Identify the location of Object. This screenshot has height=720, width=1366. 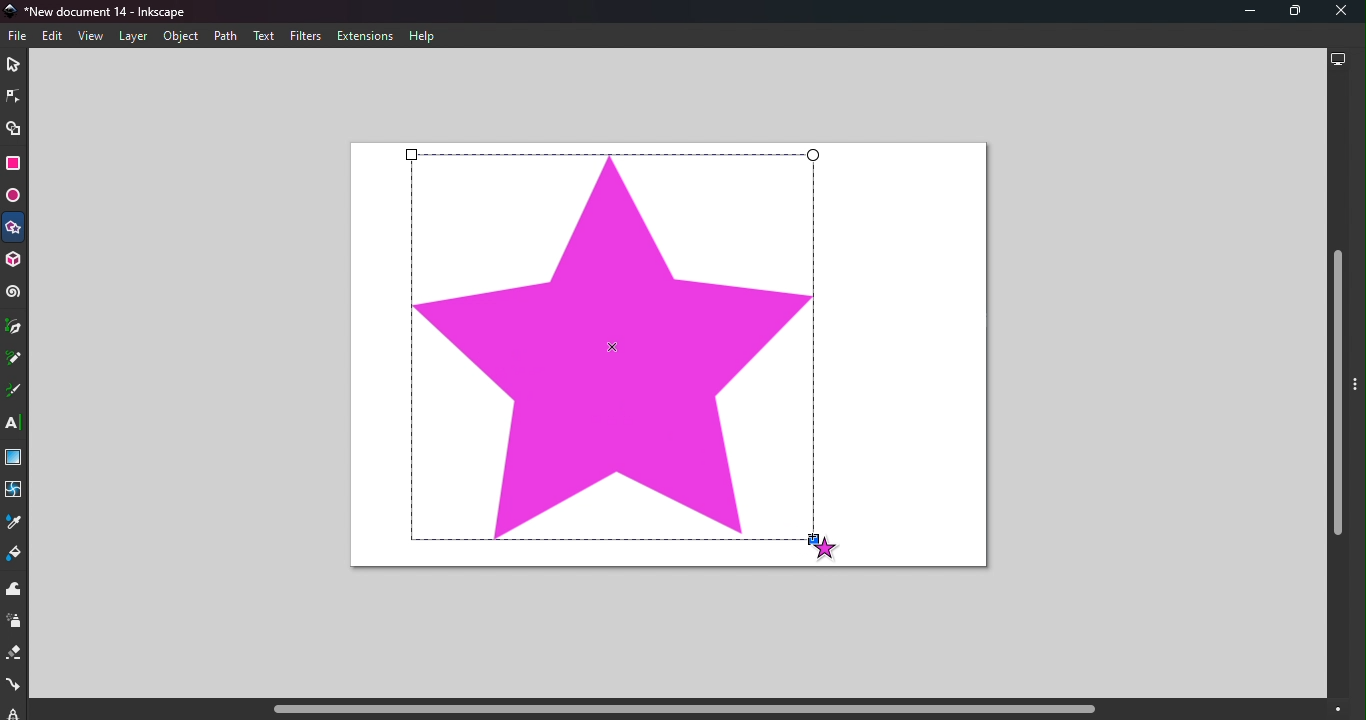
(180, 37).